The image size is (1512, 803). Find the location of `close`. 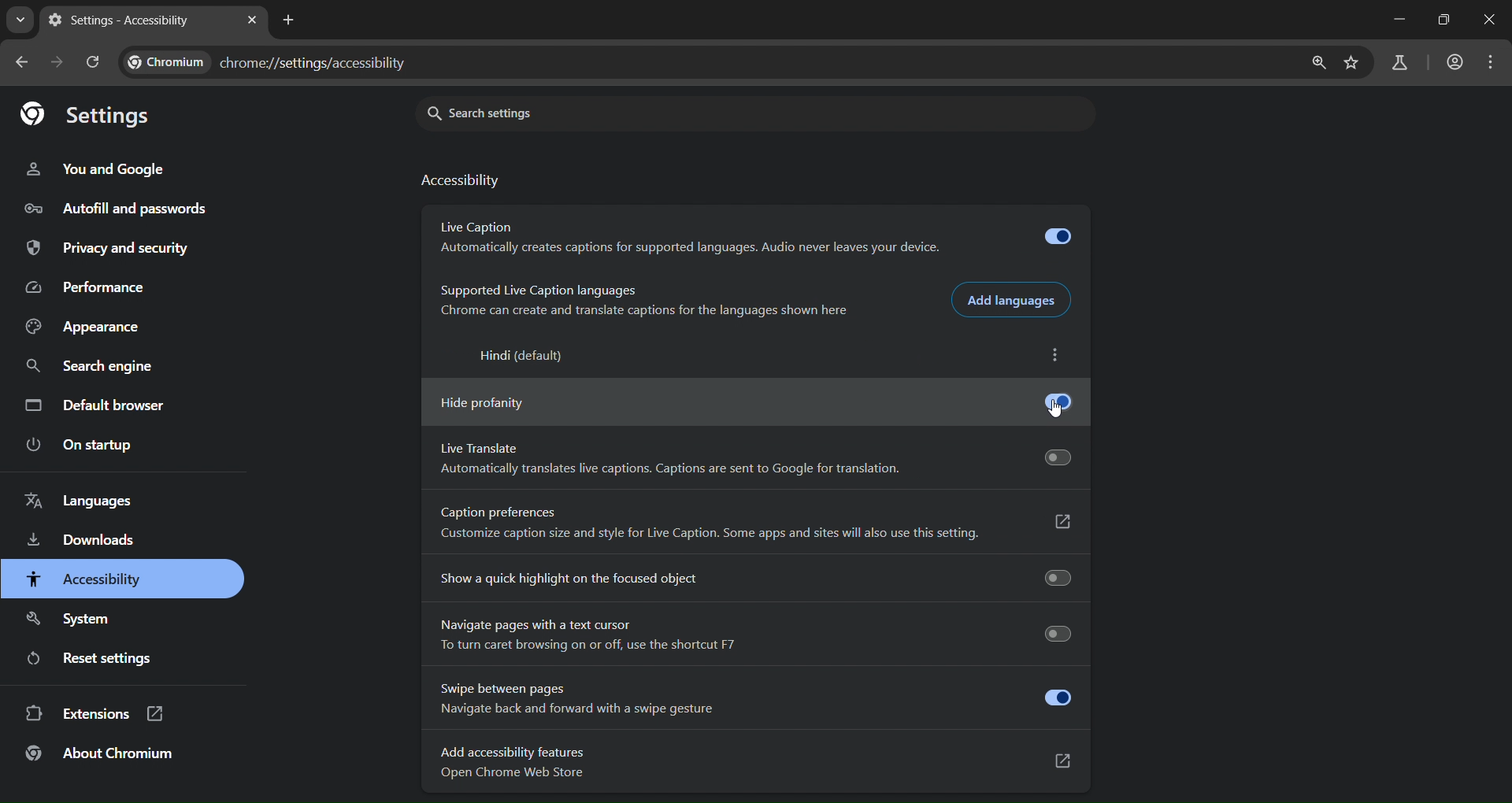

close is located at coordinates (1487, 20).